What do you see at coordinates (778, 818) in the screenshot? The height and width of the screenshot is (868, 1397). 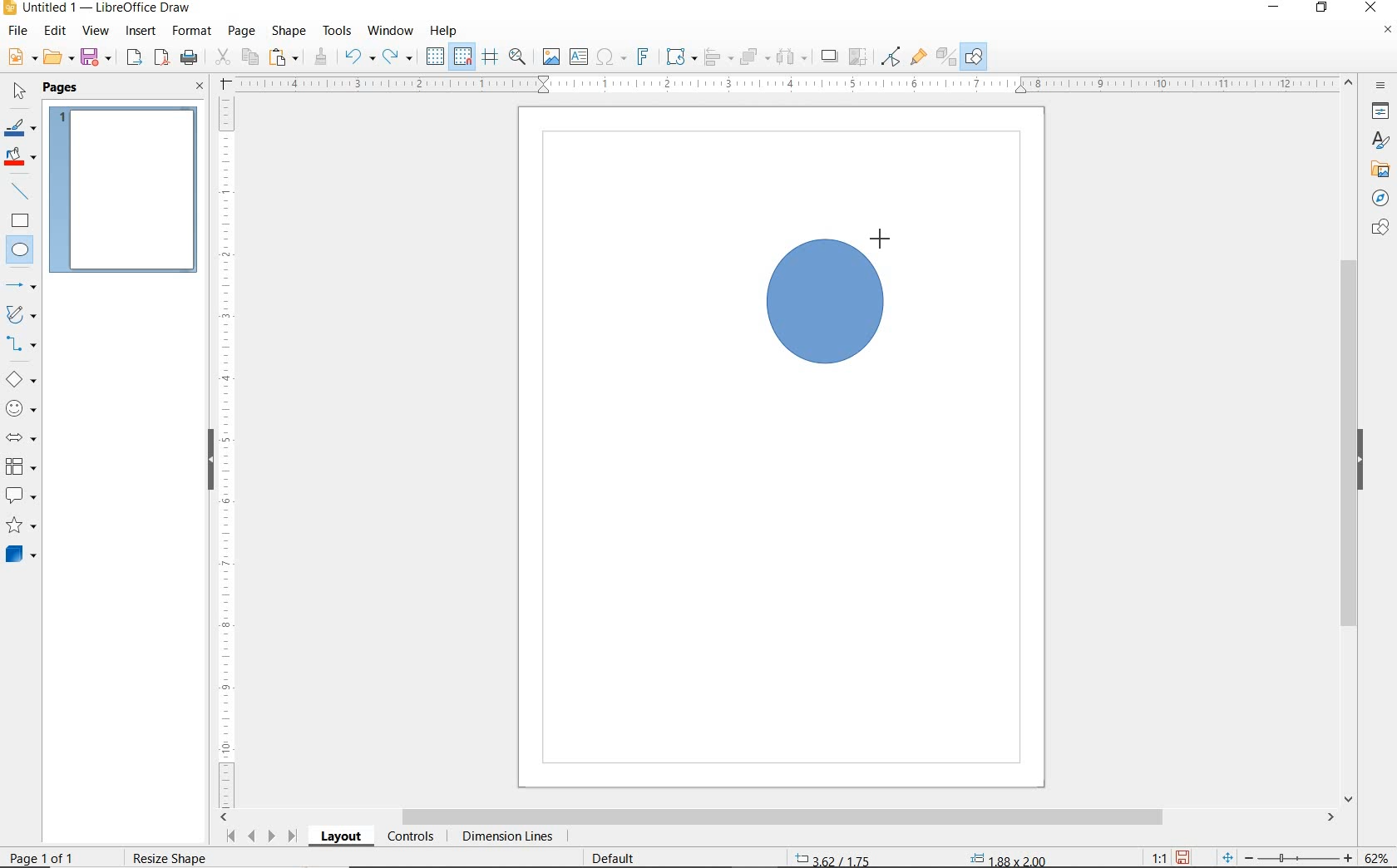 I see `SCROLLBAR` at bounding box center [778, 818].